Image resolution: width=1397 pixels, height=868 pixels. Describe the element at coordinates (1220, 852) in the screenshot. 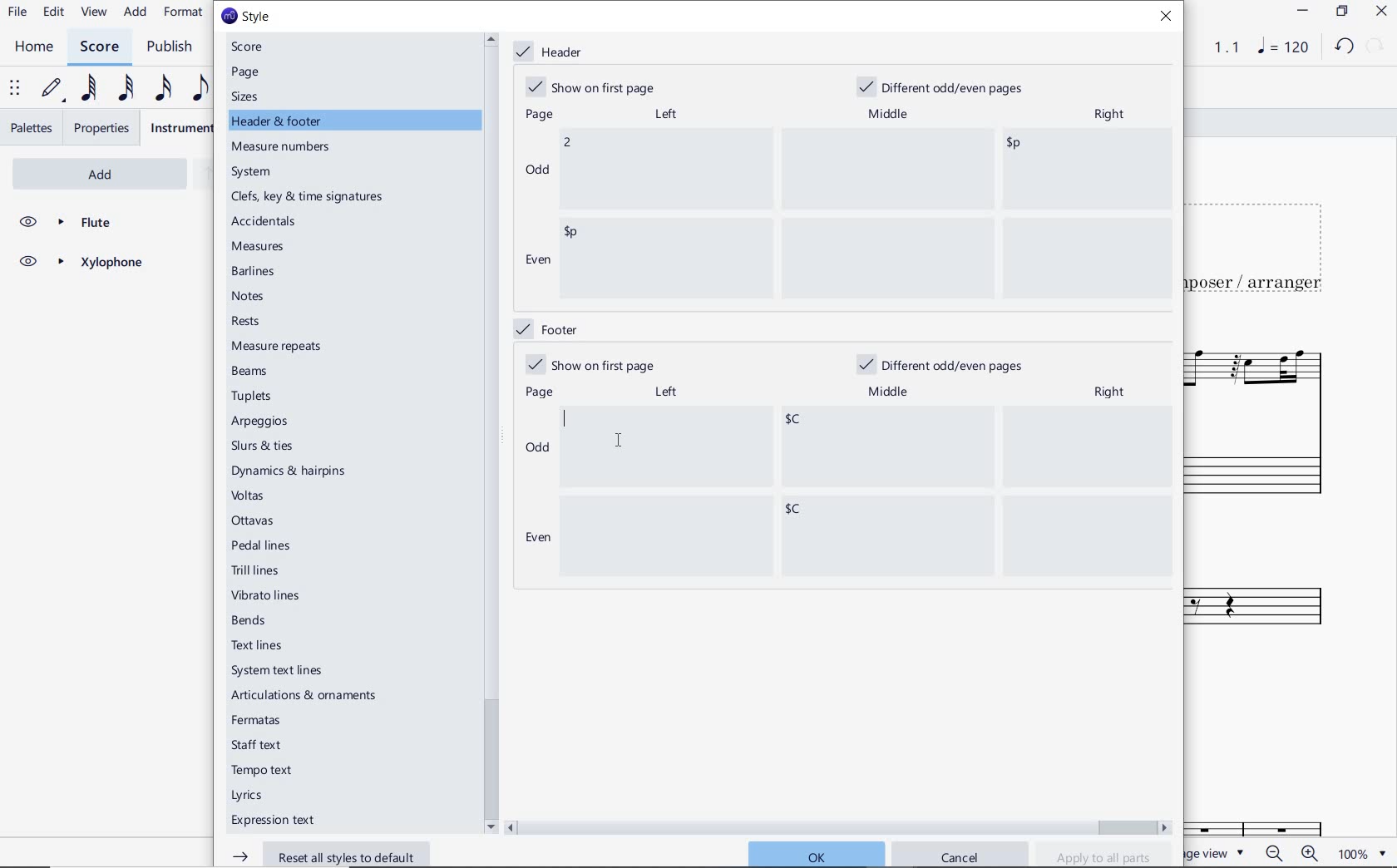

I see `PAGE VIEW` at that location.